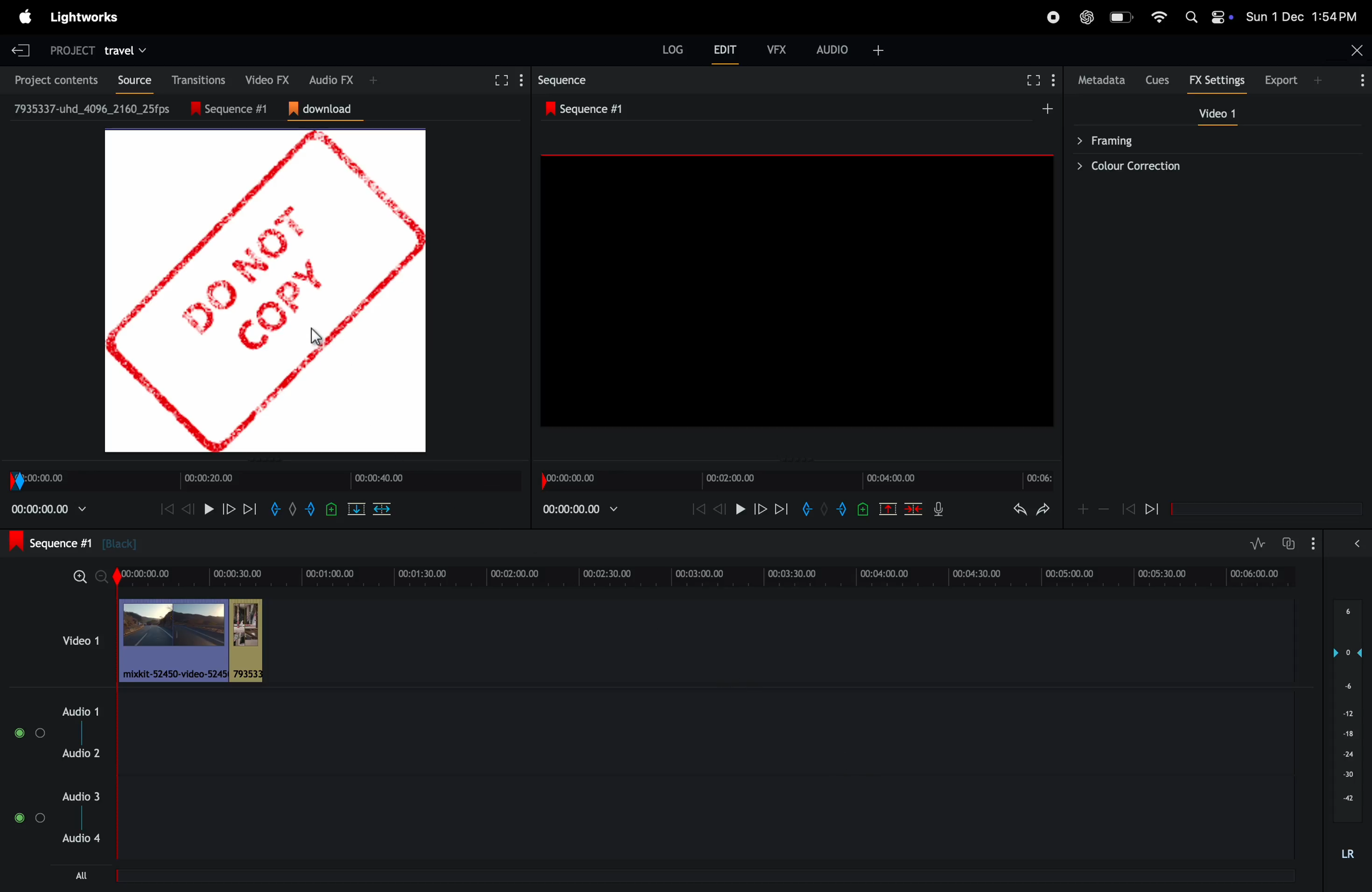  What do you see at coordinates (1317, 80) in the screenshot?
I see `Add` at bounding box center [1317, 80].